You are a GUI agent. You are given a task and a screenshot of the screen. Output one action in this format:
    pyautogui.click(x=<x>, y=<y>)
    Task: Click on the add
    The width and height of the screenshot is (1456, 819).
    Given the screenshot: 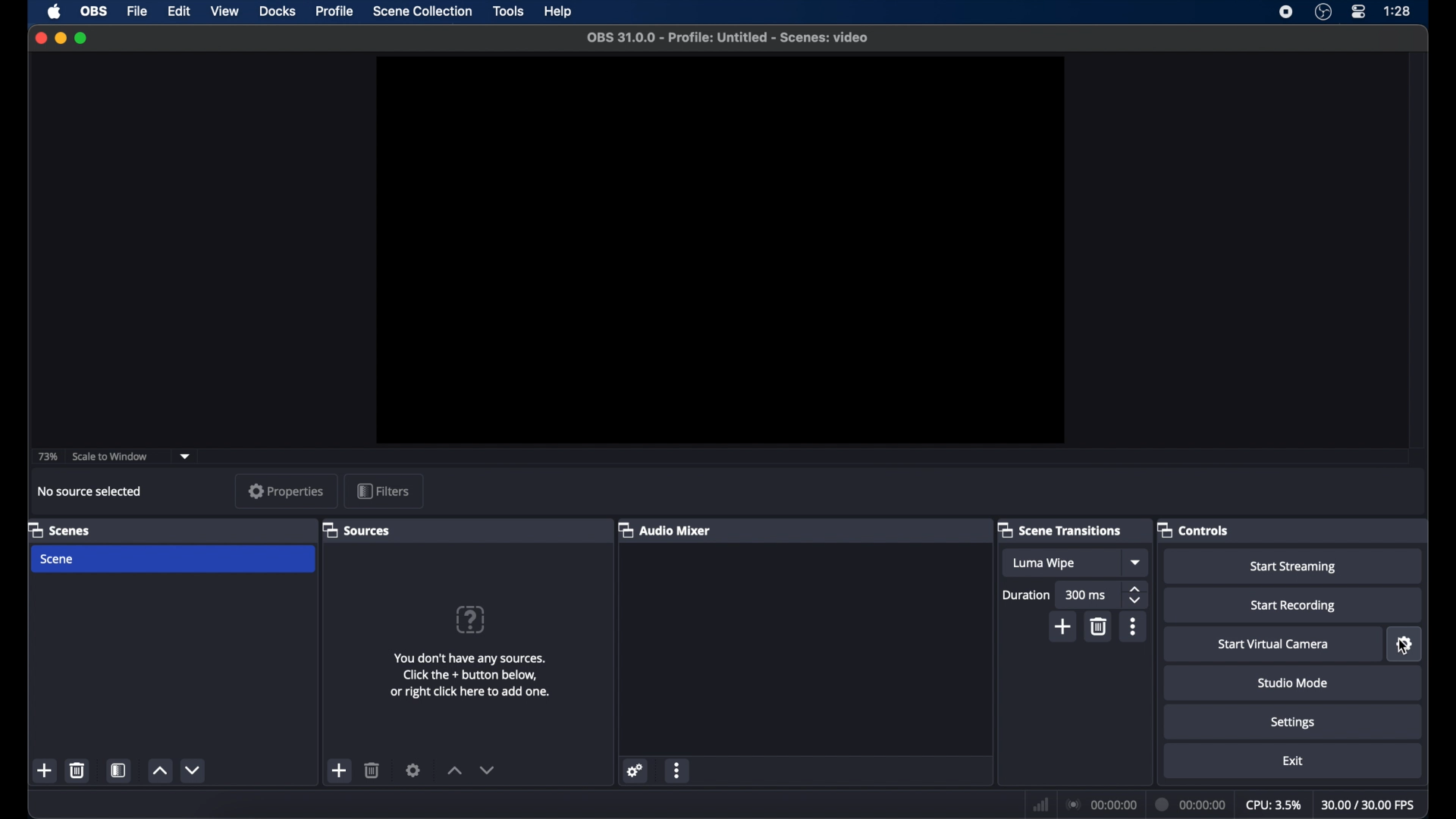 What is the action you would take?
    pyautogui.click(x=340, y=770)
    